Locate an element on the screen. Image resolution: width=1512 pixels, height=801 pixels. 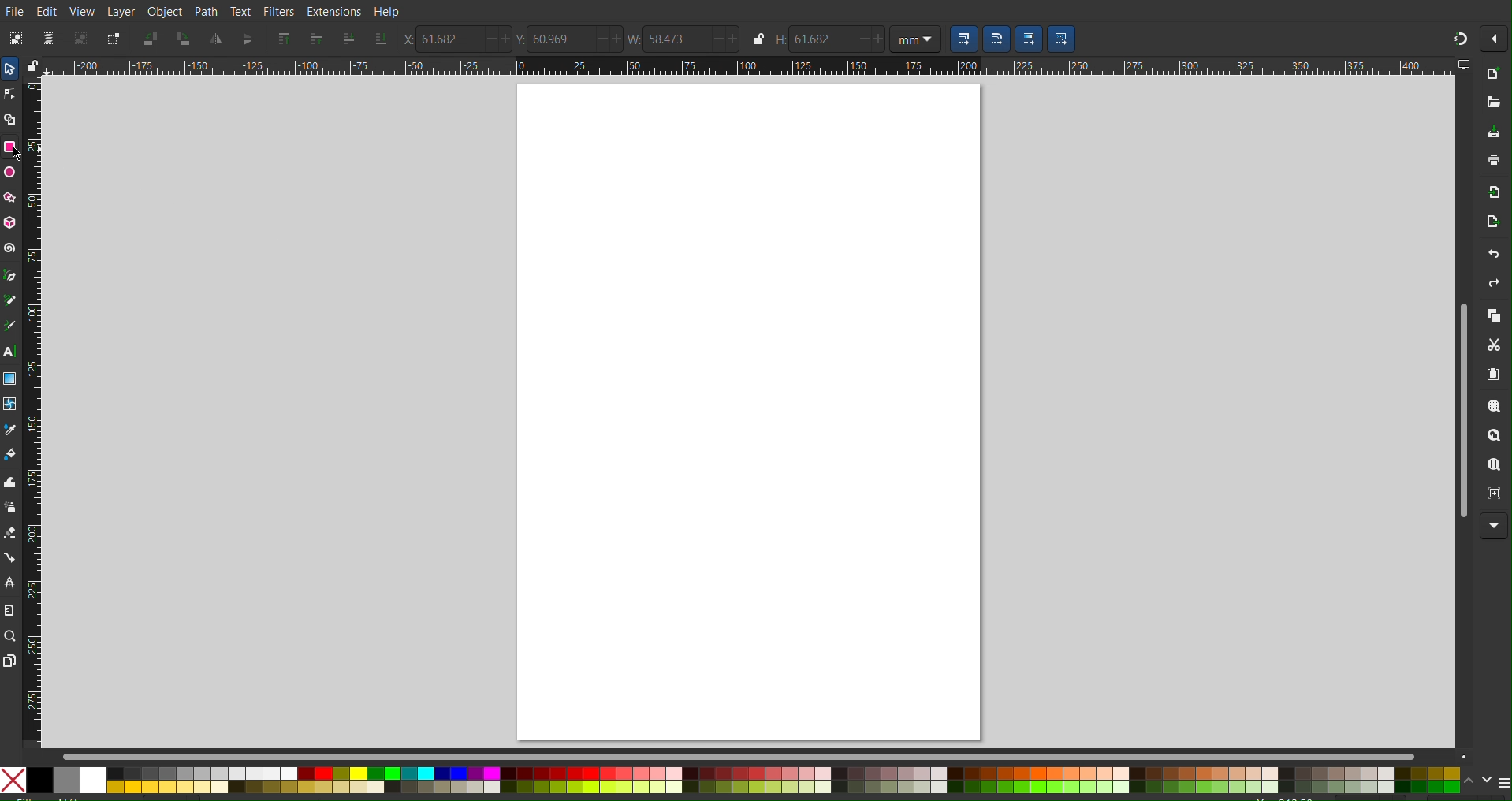
Copy is located at coordinates (1495, 317).